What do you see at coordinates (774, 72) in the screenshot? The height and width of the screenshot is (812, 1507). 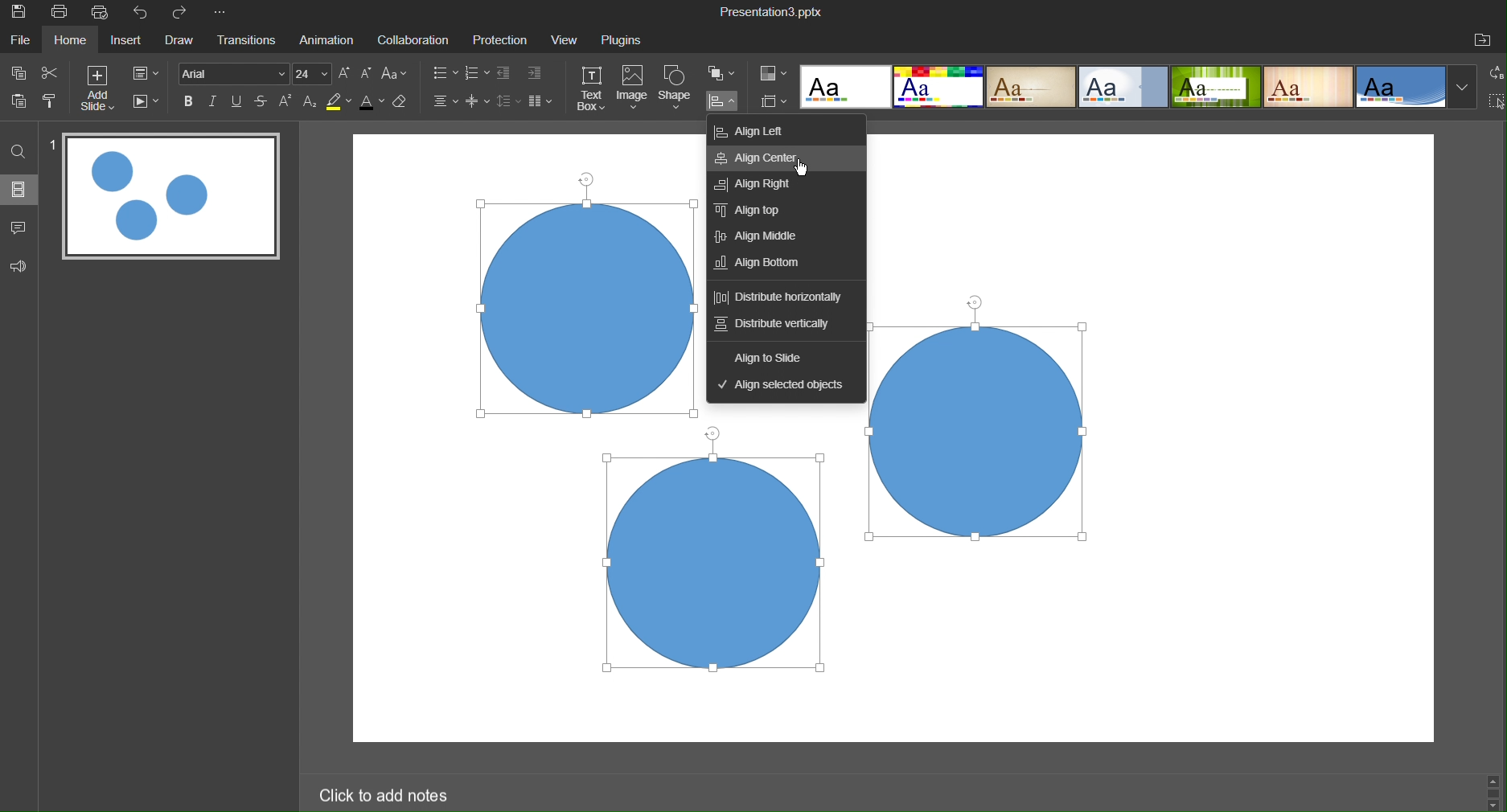 I see `Color` at bounding box center [774, 72].